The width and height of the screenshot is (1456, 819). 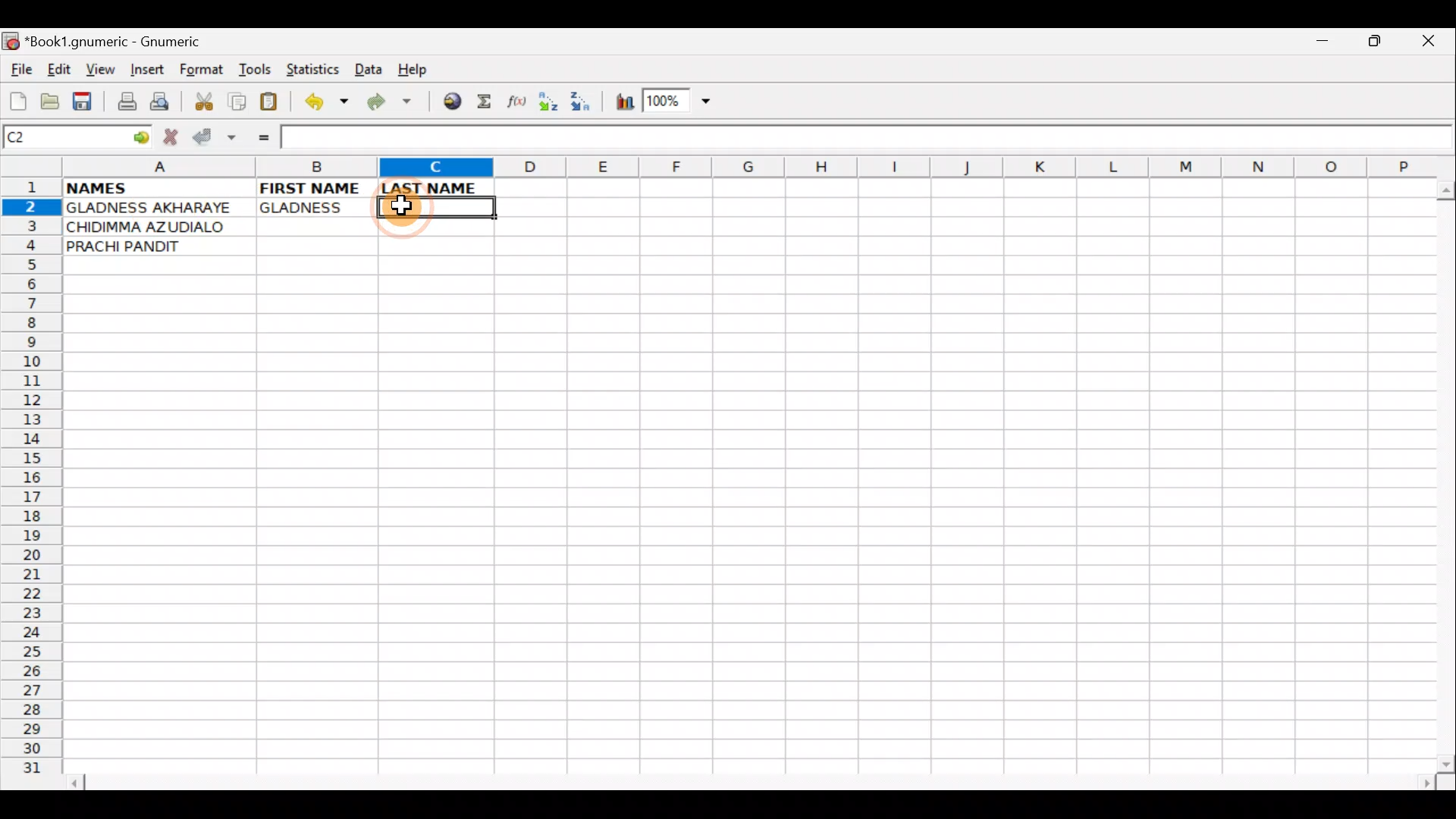 I want to click on Sort Descending order, so click(x=585, y=105).